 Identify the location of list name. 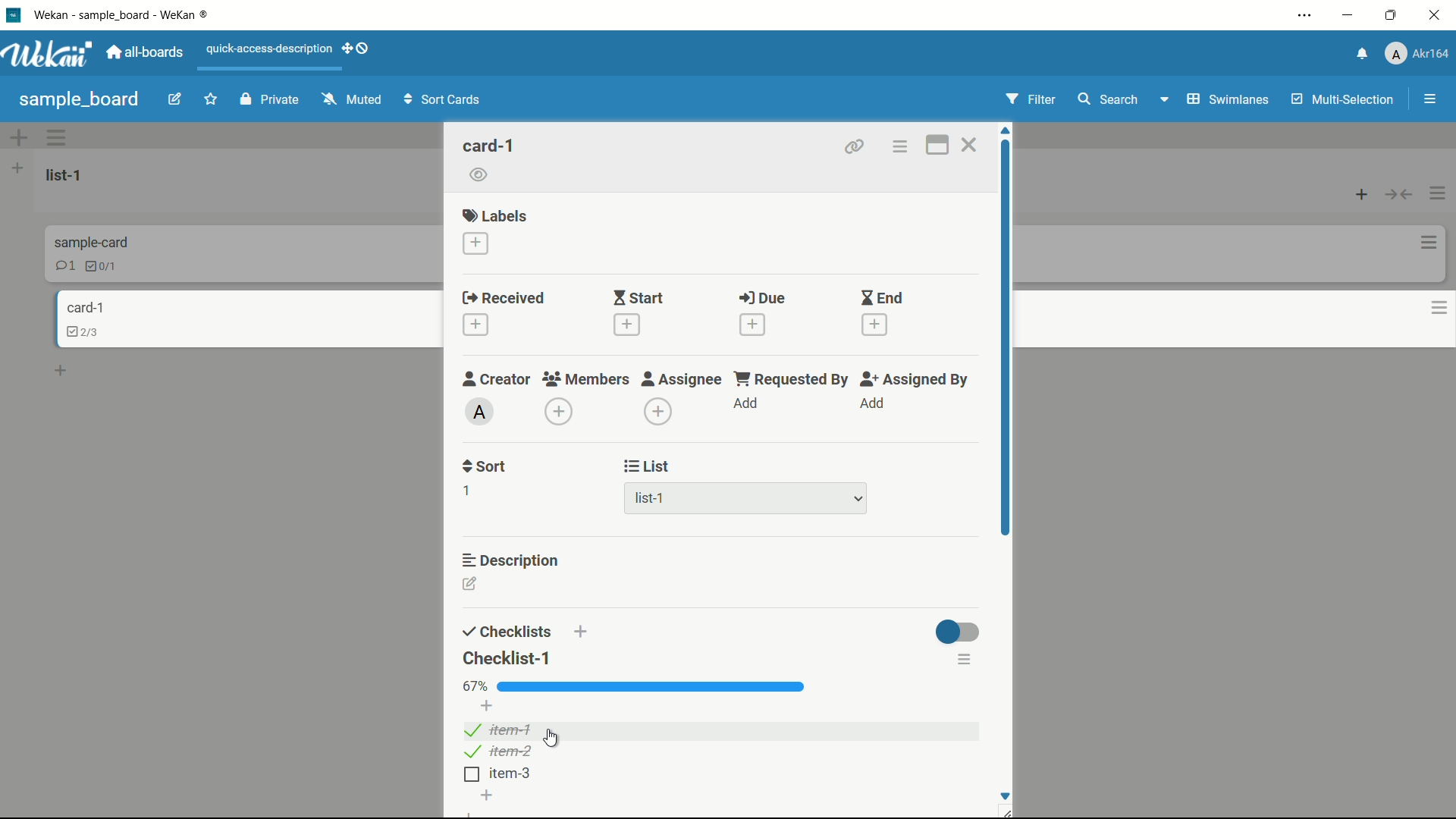
(69, 175).